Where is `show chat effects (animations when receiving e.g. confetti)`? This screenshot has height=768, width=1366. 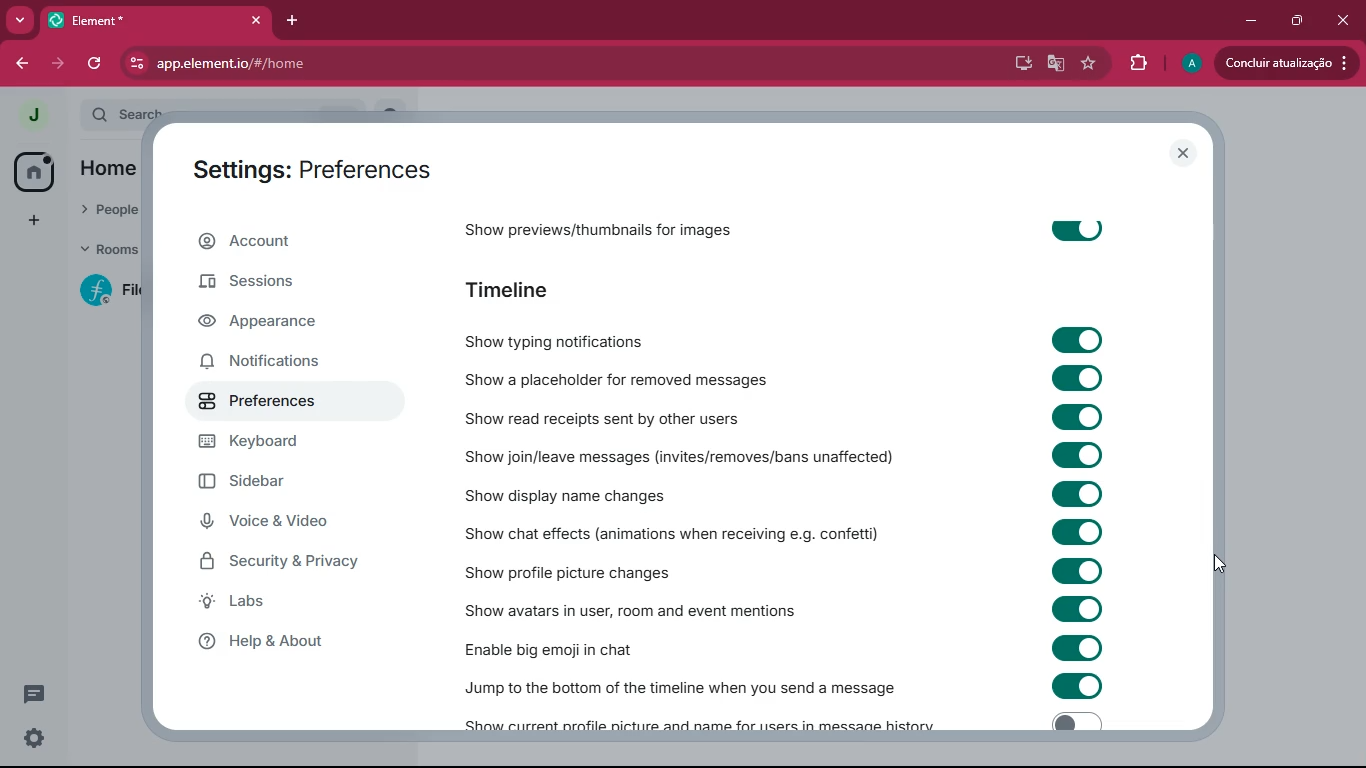
show chat effects (animations when receiving e.g. confetti) is located at coordinates (668, 533).